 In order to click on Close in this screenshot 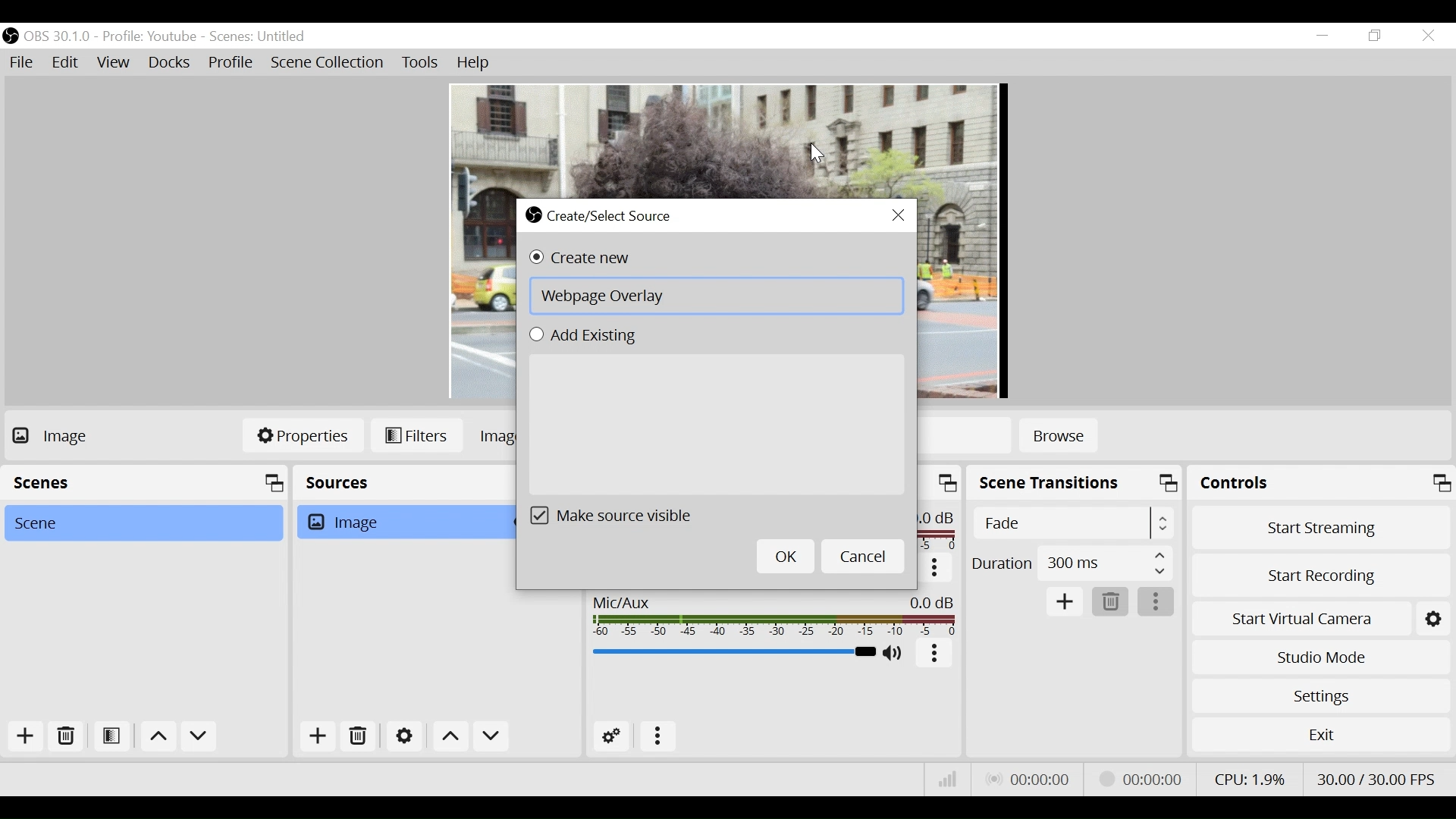, I will do `click(900, 215)`.